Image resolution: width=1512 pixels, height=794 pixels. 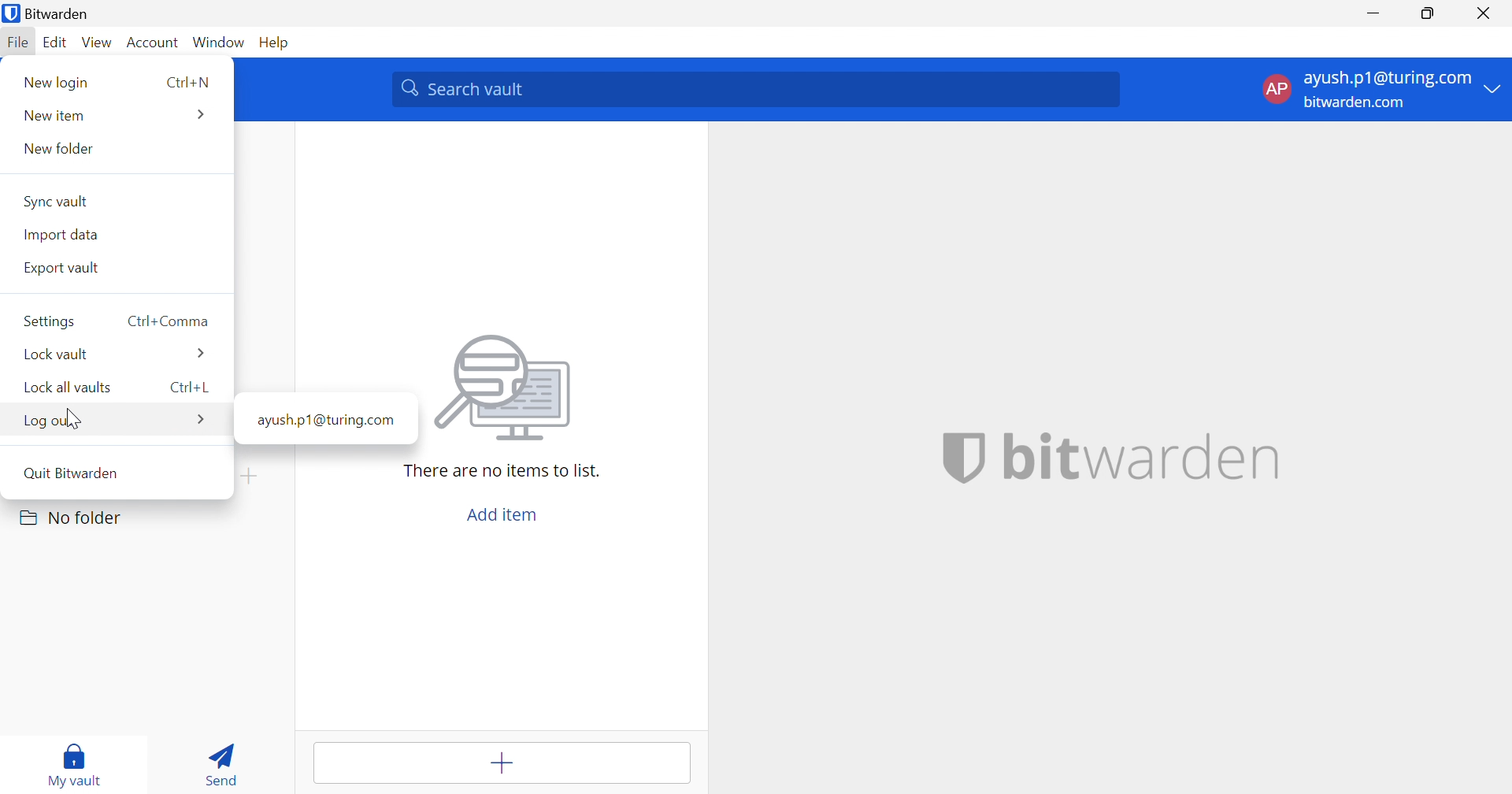 What do you see at coordinates (57, 202) in the screenshot?
I see `Sync vault` at bounding box center [57, 202].